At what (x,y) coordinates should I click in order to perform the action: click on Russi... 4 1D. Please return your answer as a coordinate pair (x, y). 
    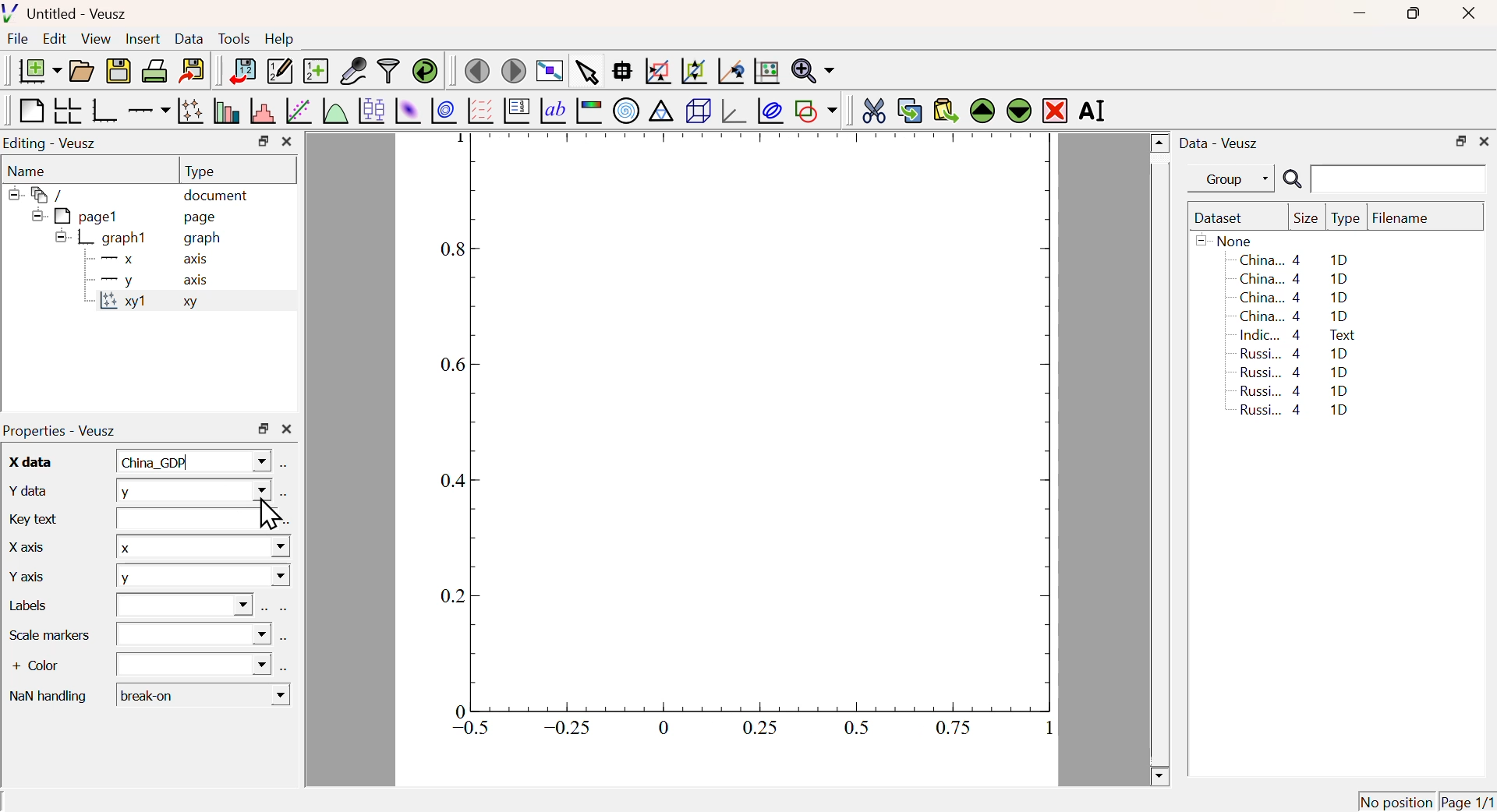
    Looking at the image, I should click on (1291, 390).